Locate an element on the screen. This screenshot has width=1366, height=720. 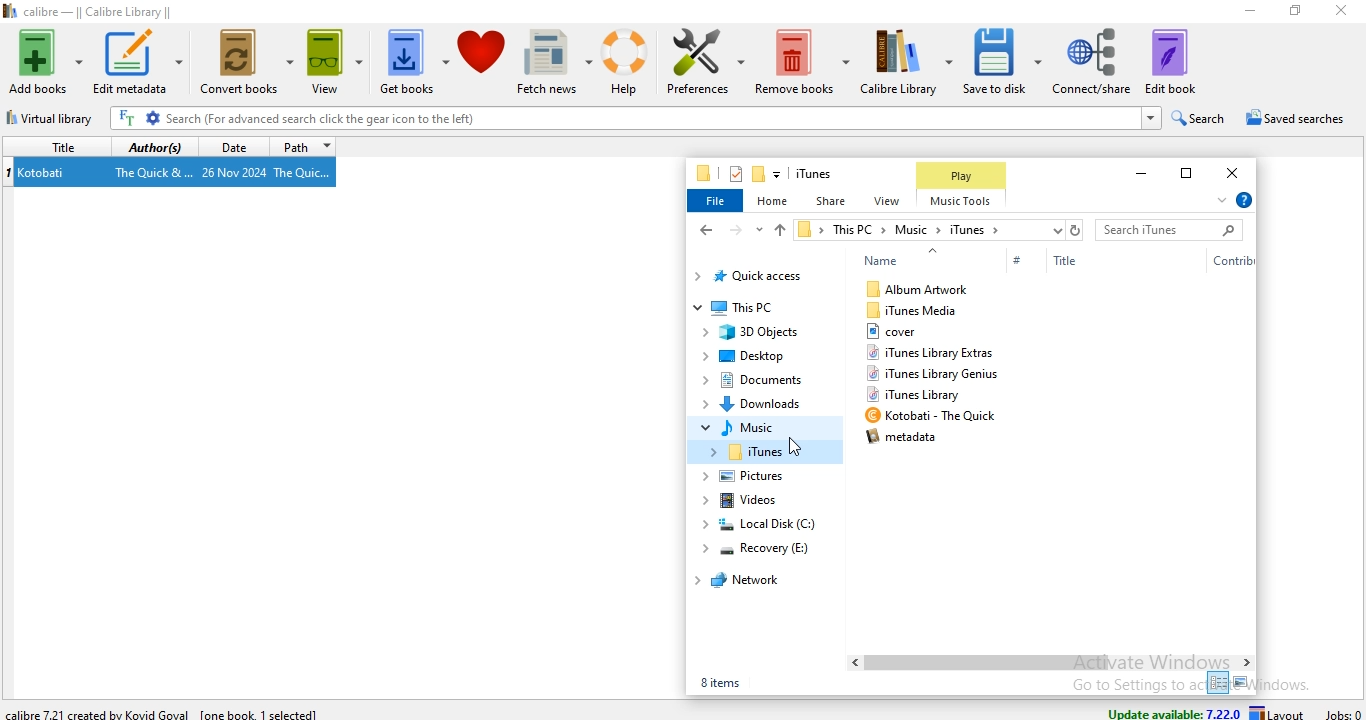
new folder is located at coordinates (759, 175).